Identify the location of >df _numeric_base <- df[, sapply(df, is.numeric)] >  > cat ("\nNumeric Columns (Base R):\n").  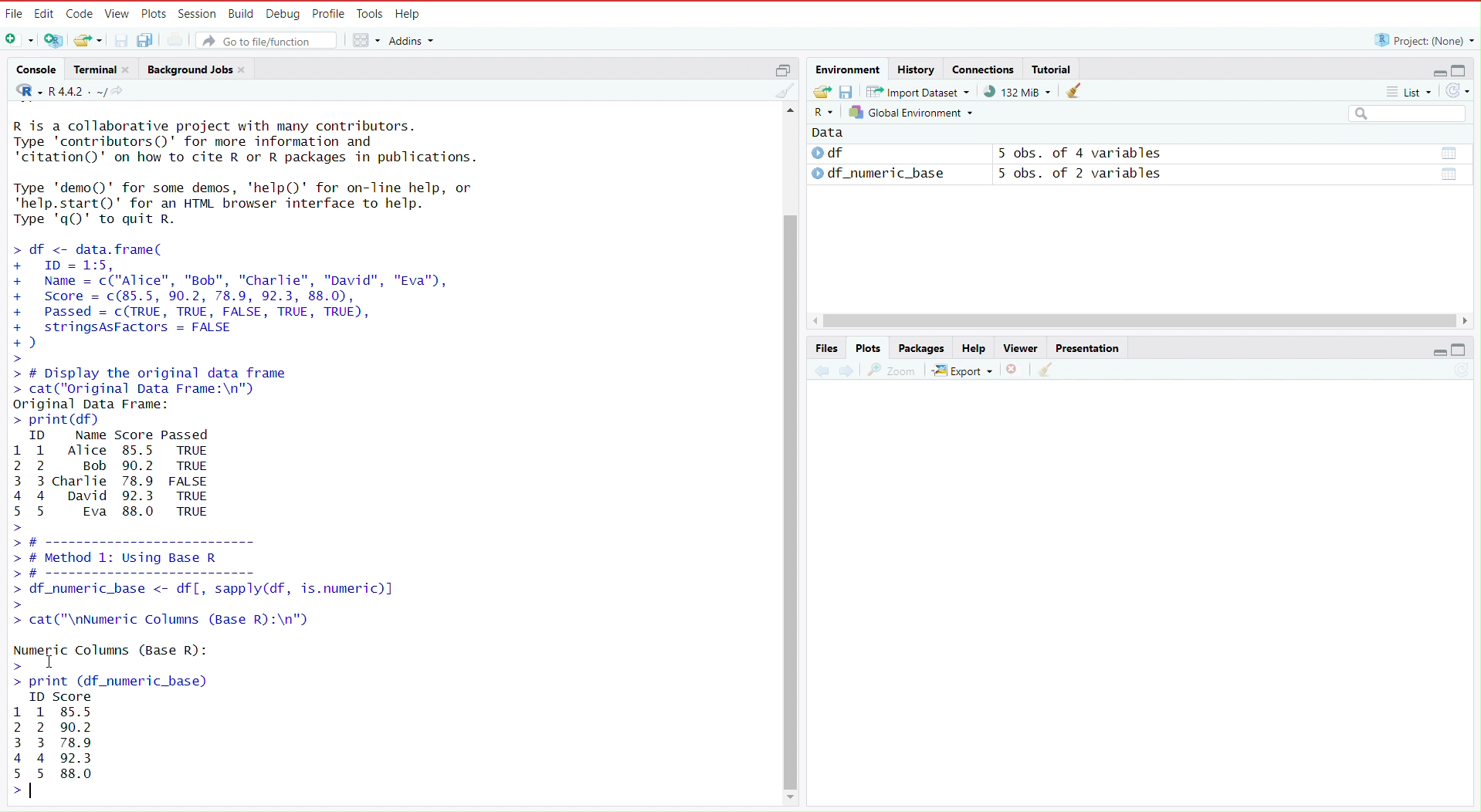
(232, 607).